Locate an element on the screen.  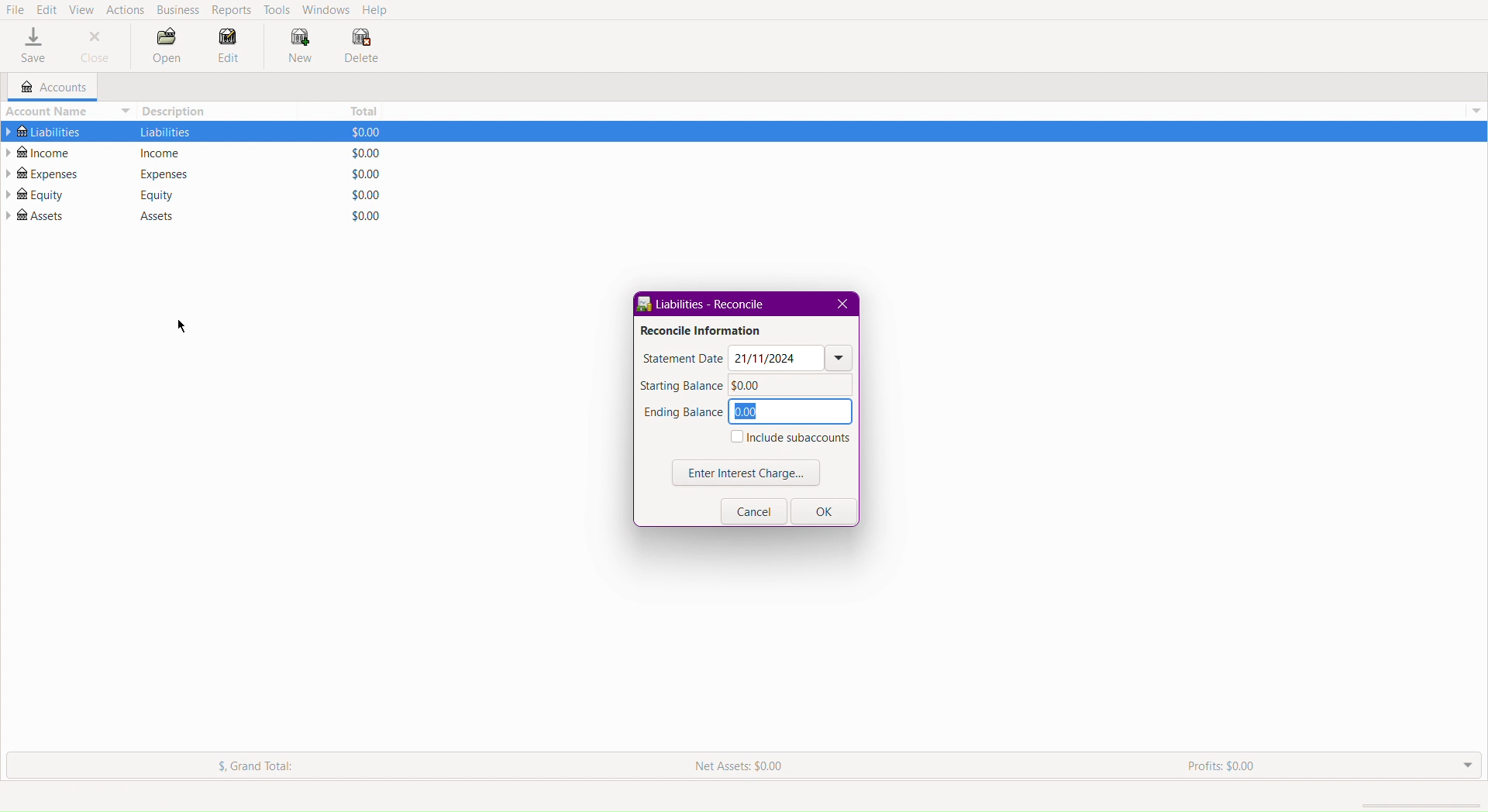
Description is located at coordinates (174, 112).